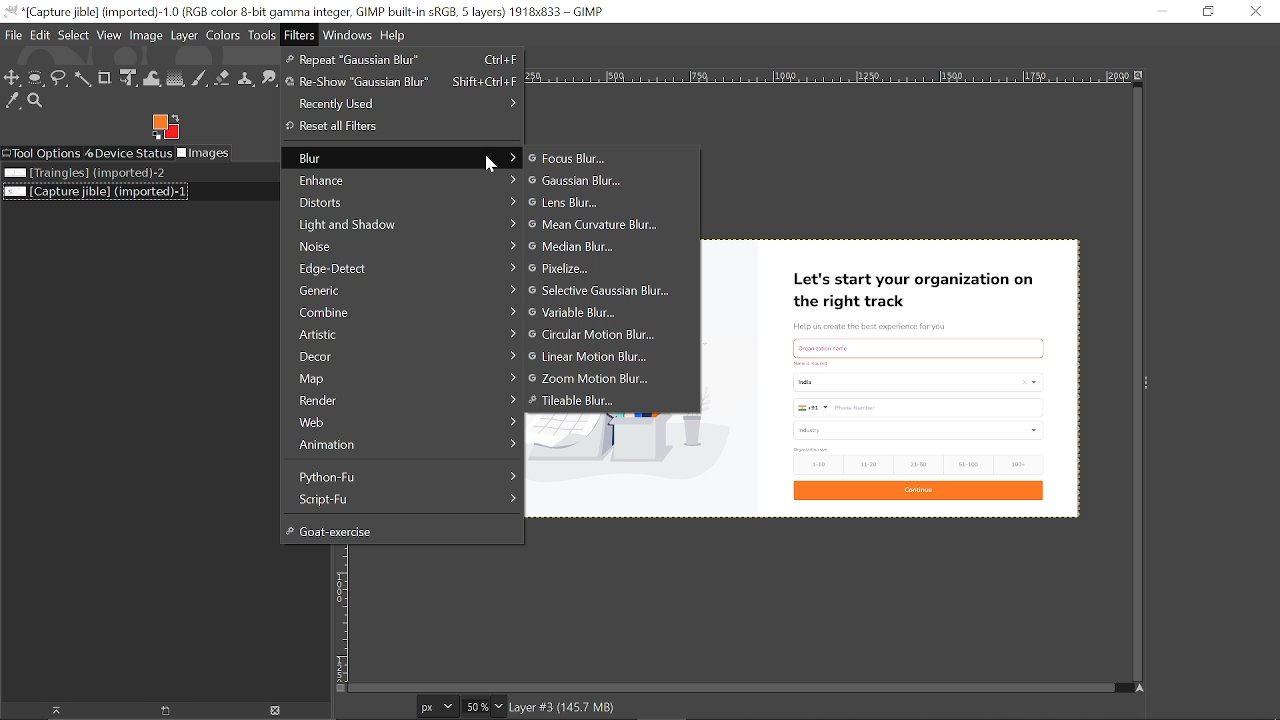 The height and width of the screenshot is (720, 1280). Describe the element at coordinates (13, 79) in the screenshot. I see `Move tool` at that location.